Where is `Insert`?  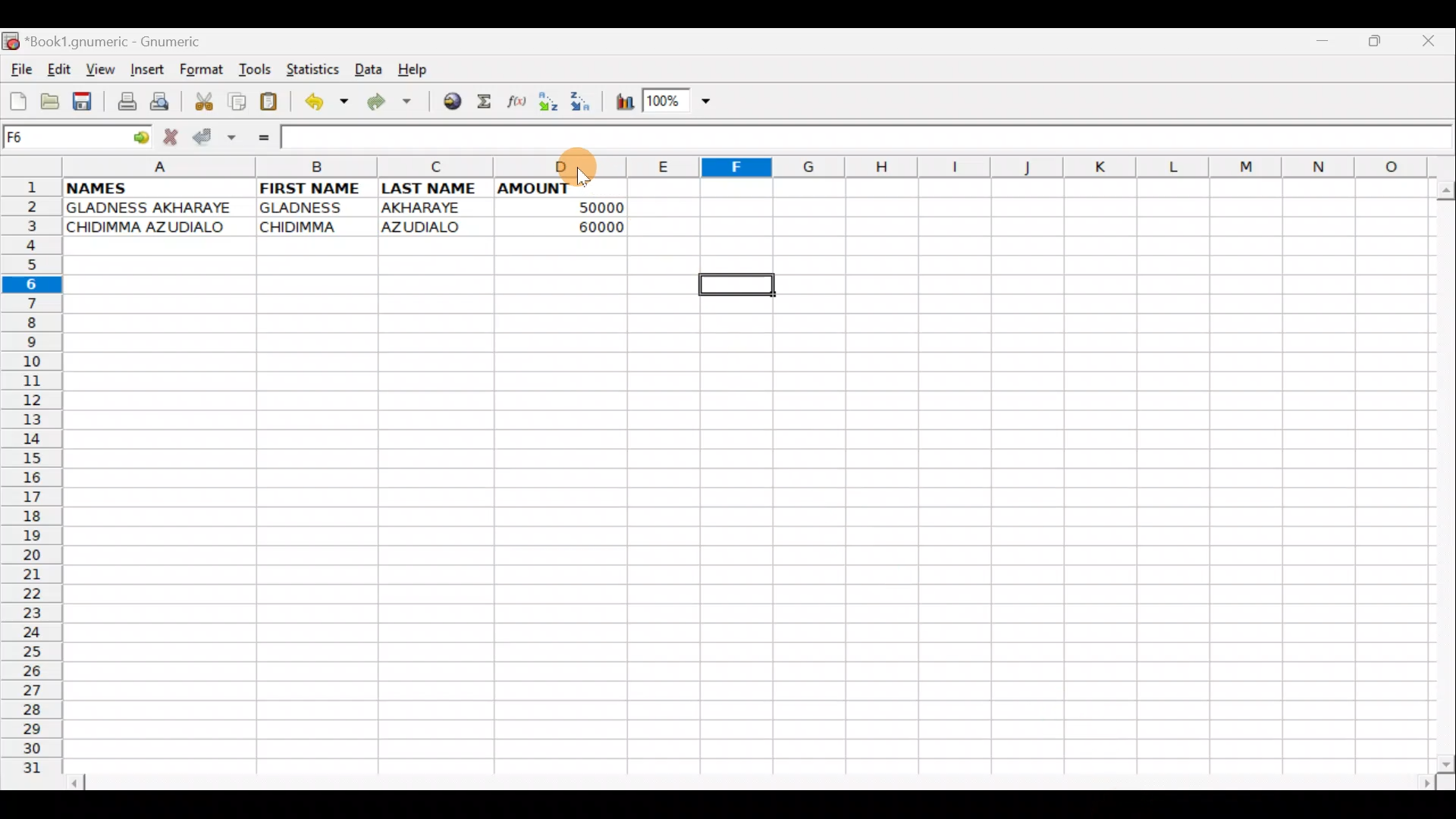
Insert is located at coordinates (146, 72).